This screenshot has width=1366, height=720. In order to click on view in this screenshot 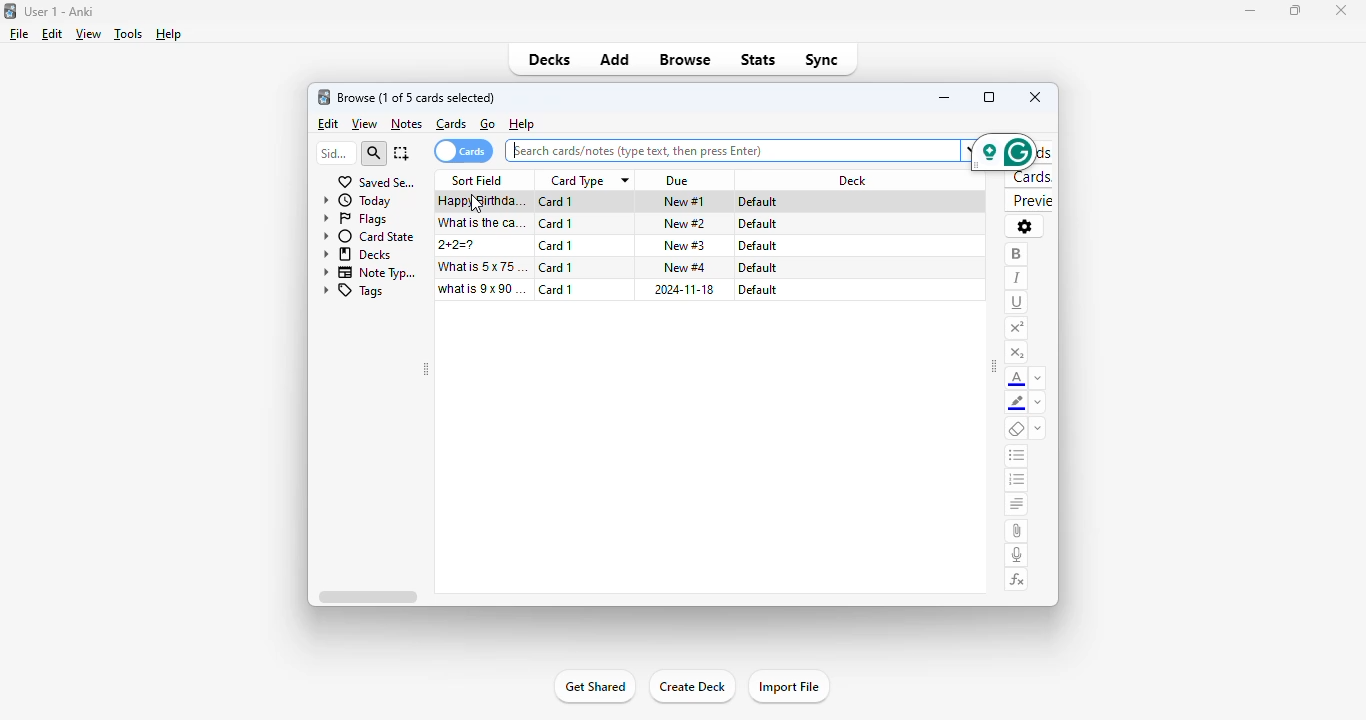, I will do `click(89, 34)`.